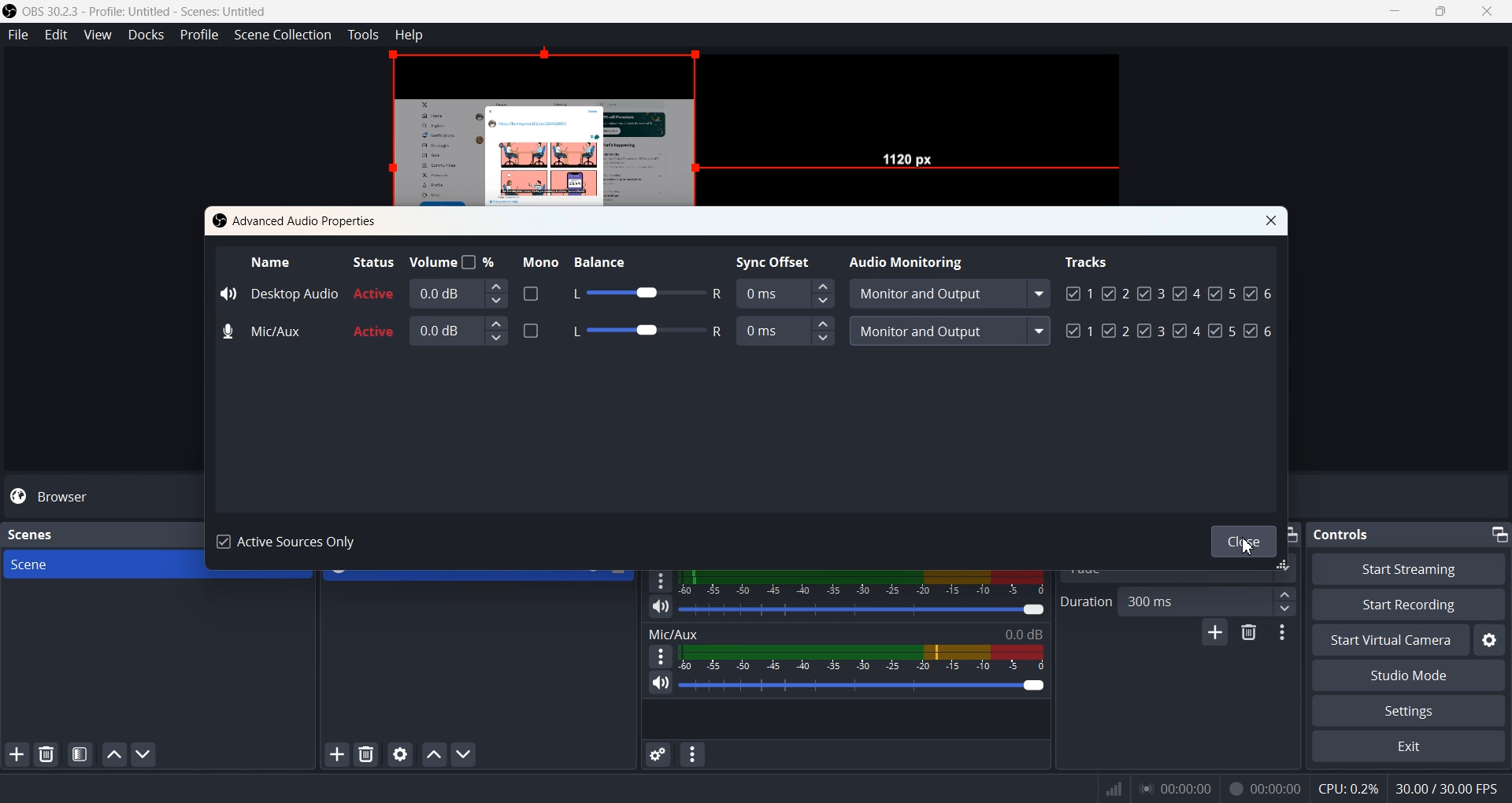 Image resolution: width=1512 pixels, height=803 pixels. Describe the element at coordinates (30, 533) in the screenshot. I see `Scenes` at that location.